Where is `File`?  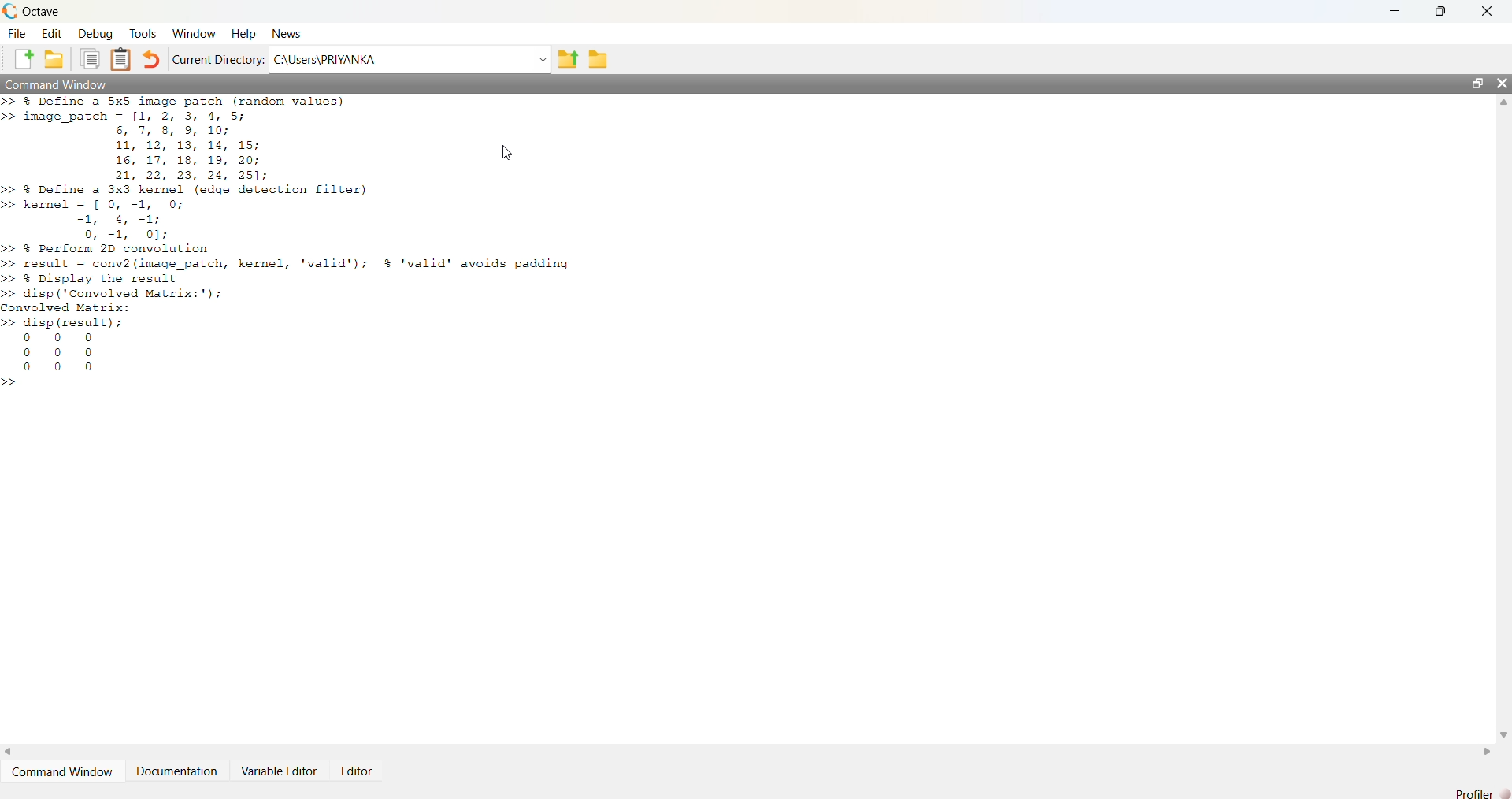
File is located at coordinates (18, 33).